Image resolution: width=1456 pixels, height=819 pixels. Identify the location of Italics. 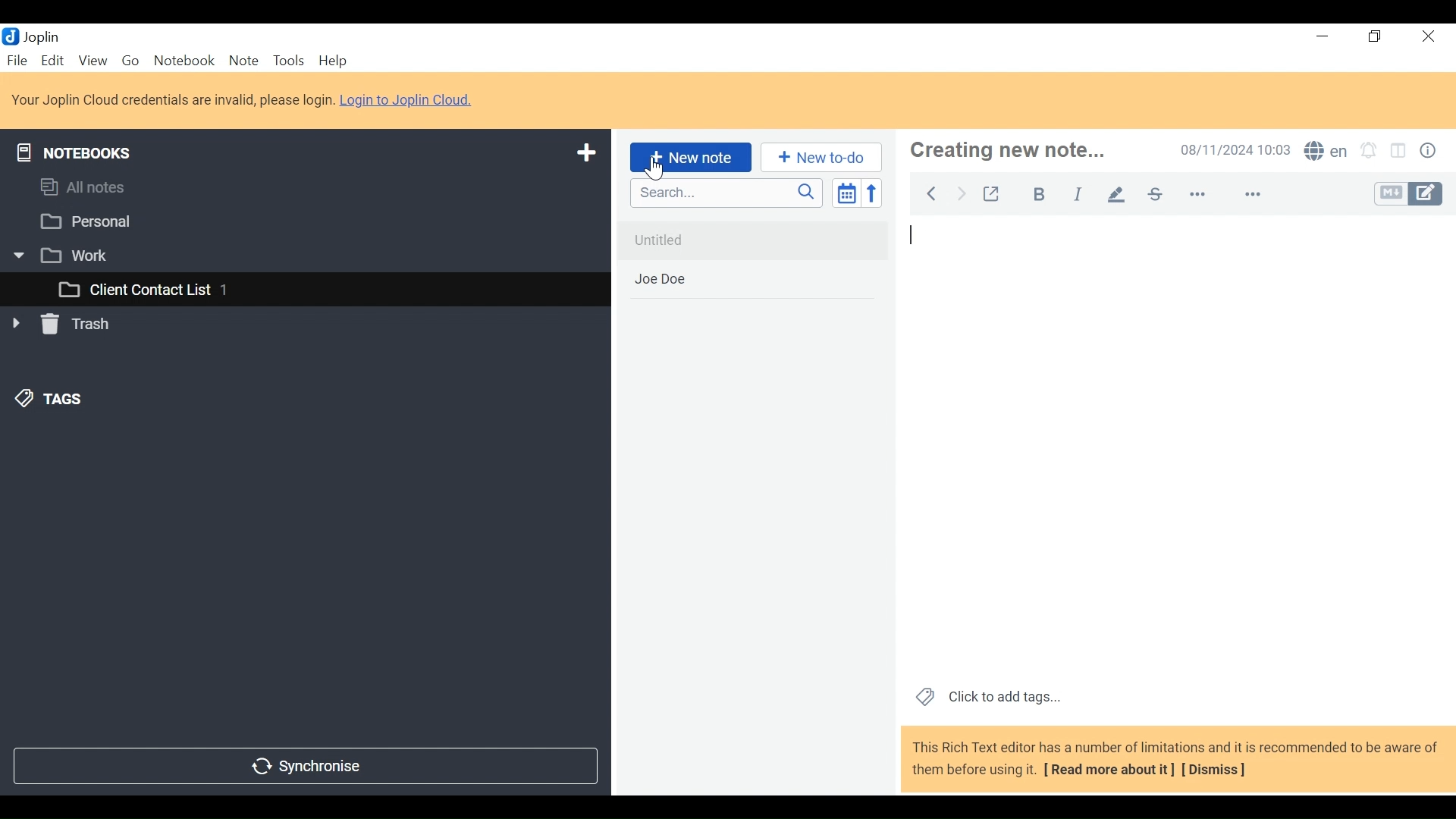
(1078, 194).